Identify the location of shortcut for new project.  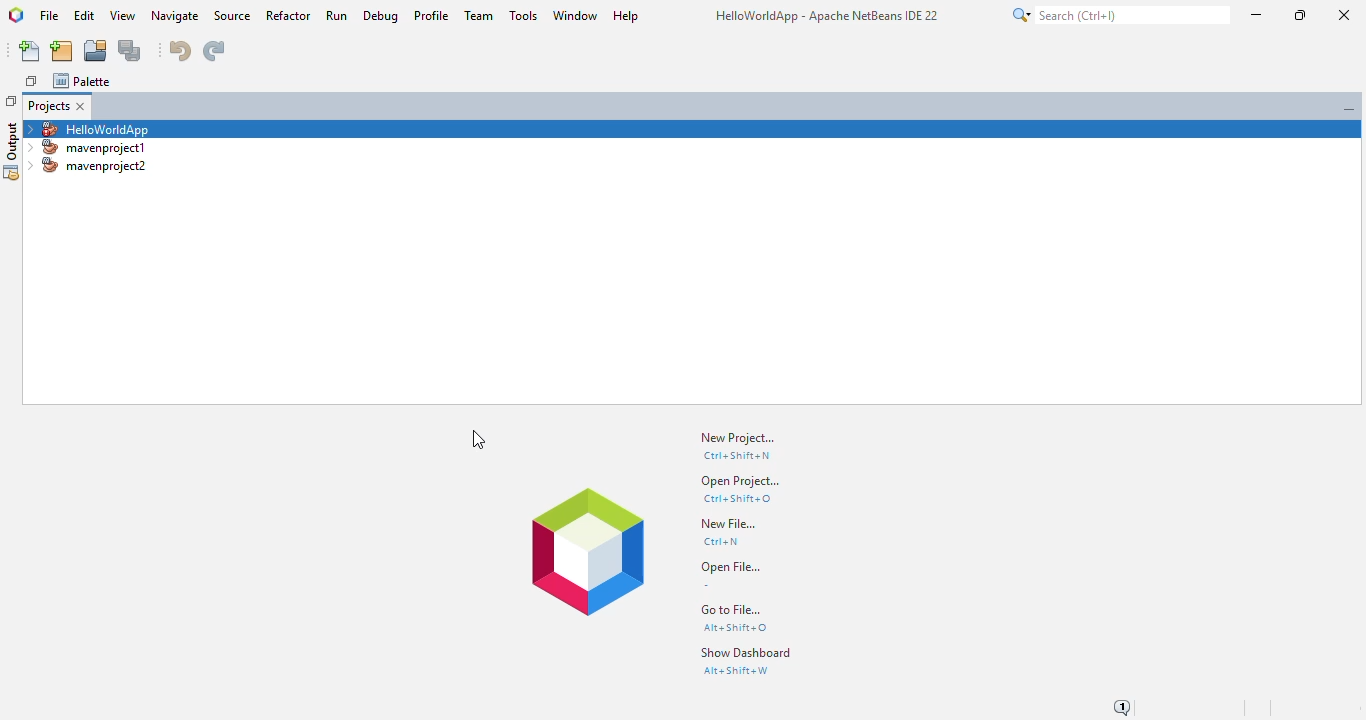
(738, 455).